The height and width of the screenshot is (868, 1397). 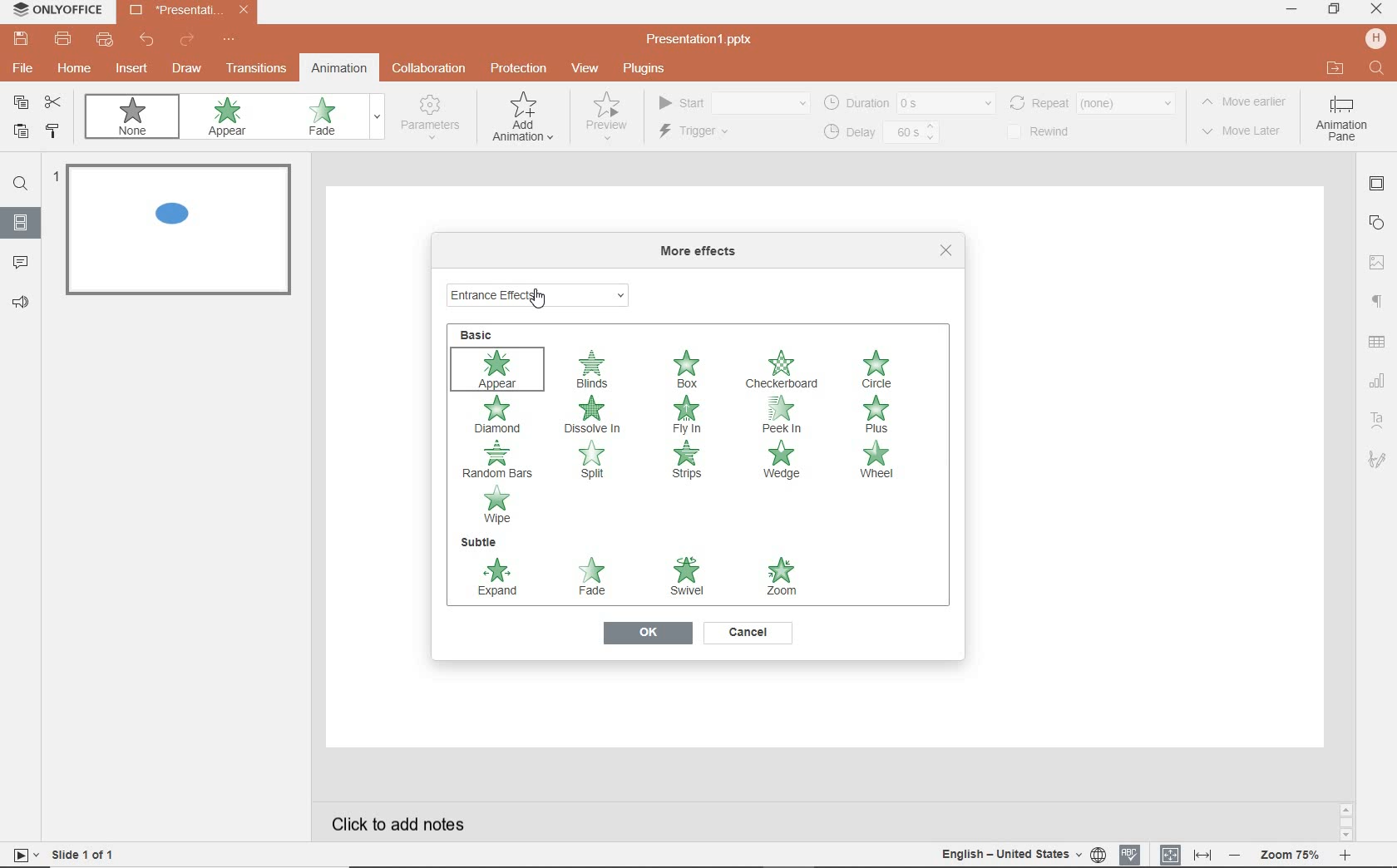 I want to click on paragraph settings, so click(x=1376, y=303).